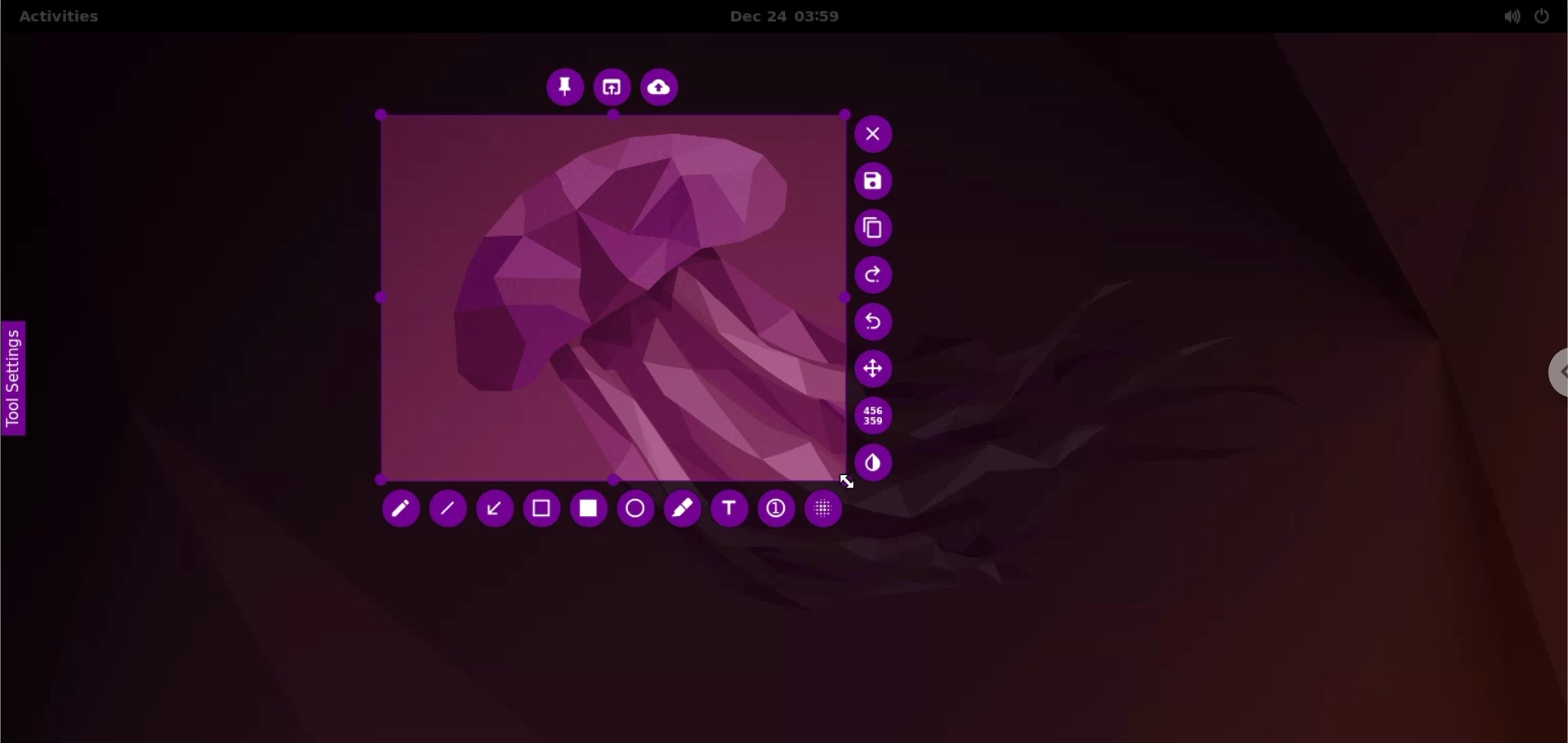 The width and height of the screenshot is (1568, 743). What do you see at coordinates (878, 418) in the screenshot?
I see `x and y coordinates value` at bounding box center [878, 418].